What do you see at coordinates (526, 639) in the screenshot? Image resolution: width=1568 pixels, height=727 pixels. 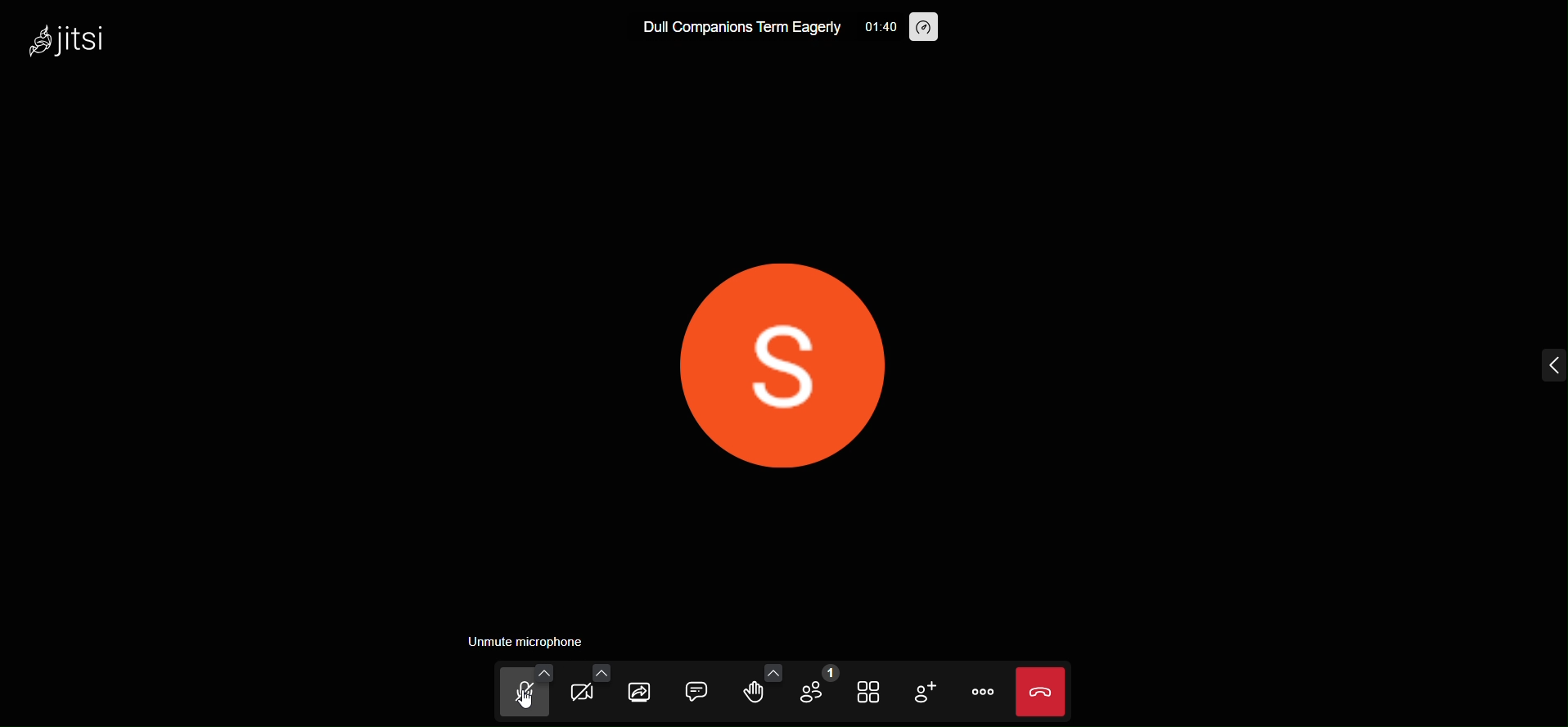 I see `unmute microphone` at bounding box center [526, 639].